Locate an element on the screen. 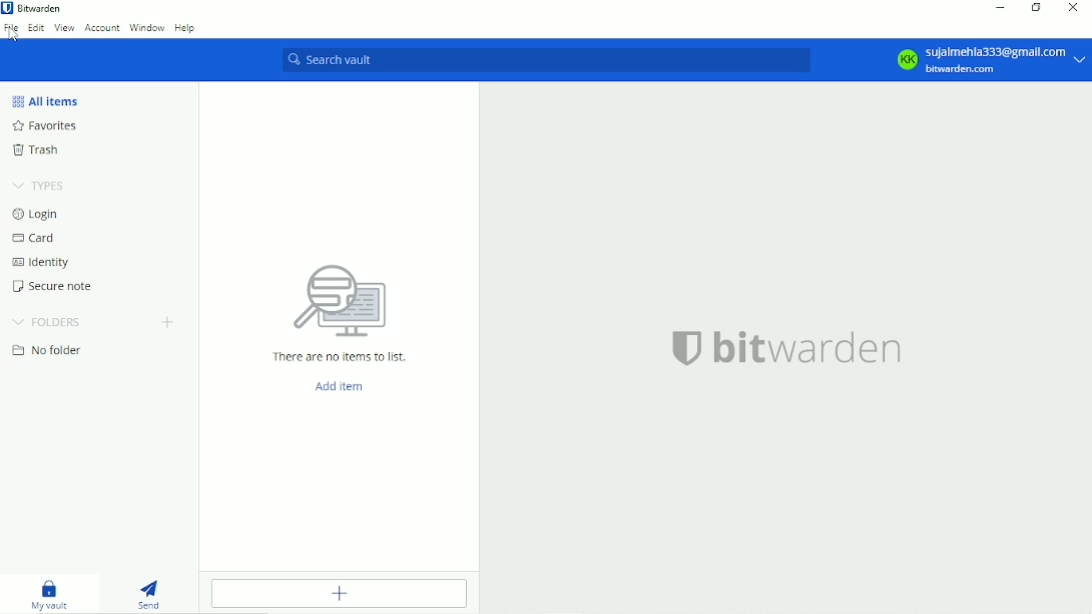 The image size is (1092, 614). Edit is located at coordinates (36, 29).